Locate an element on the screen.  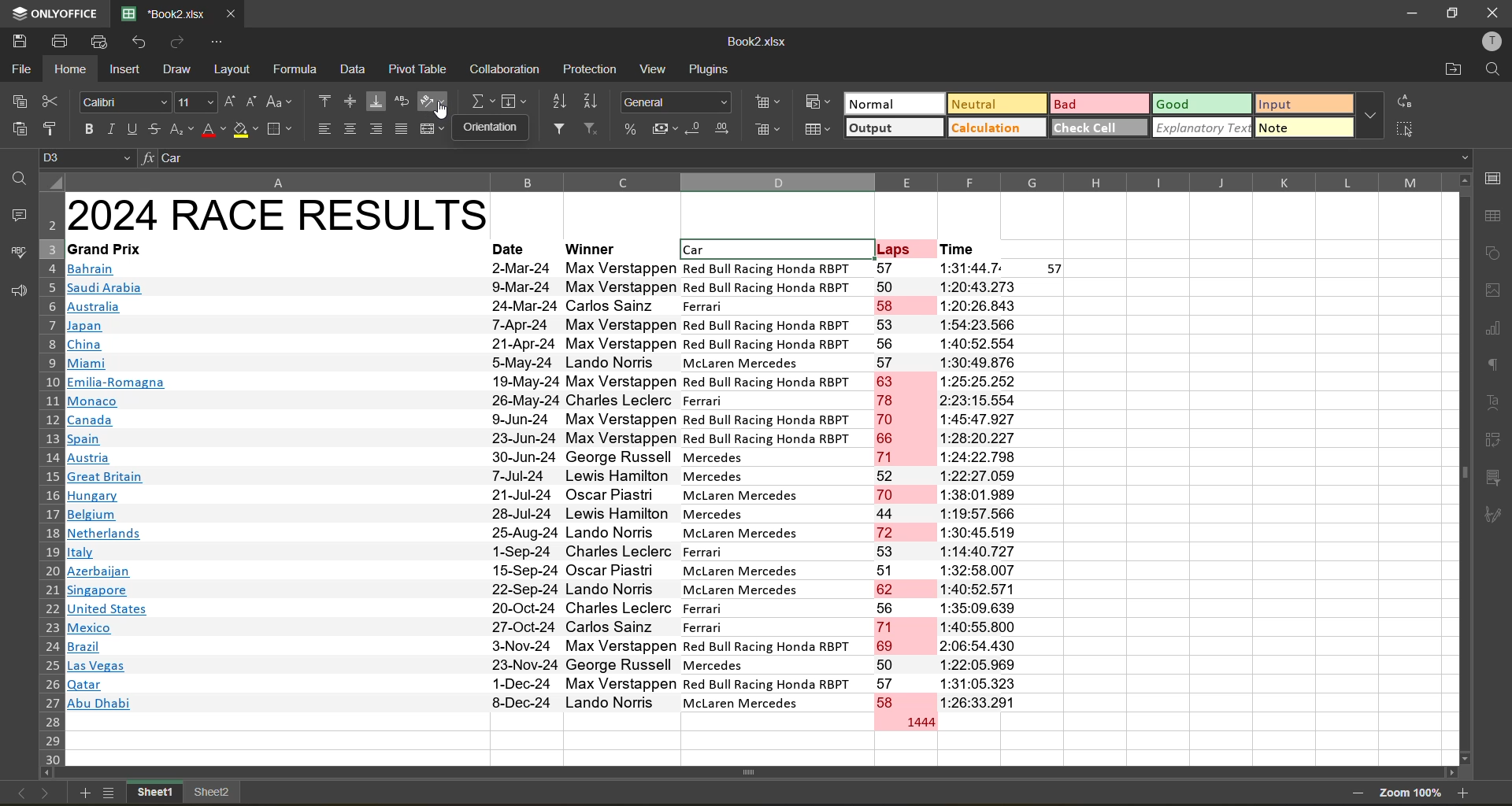
Laps number is located at coordinates (907, 497).